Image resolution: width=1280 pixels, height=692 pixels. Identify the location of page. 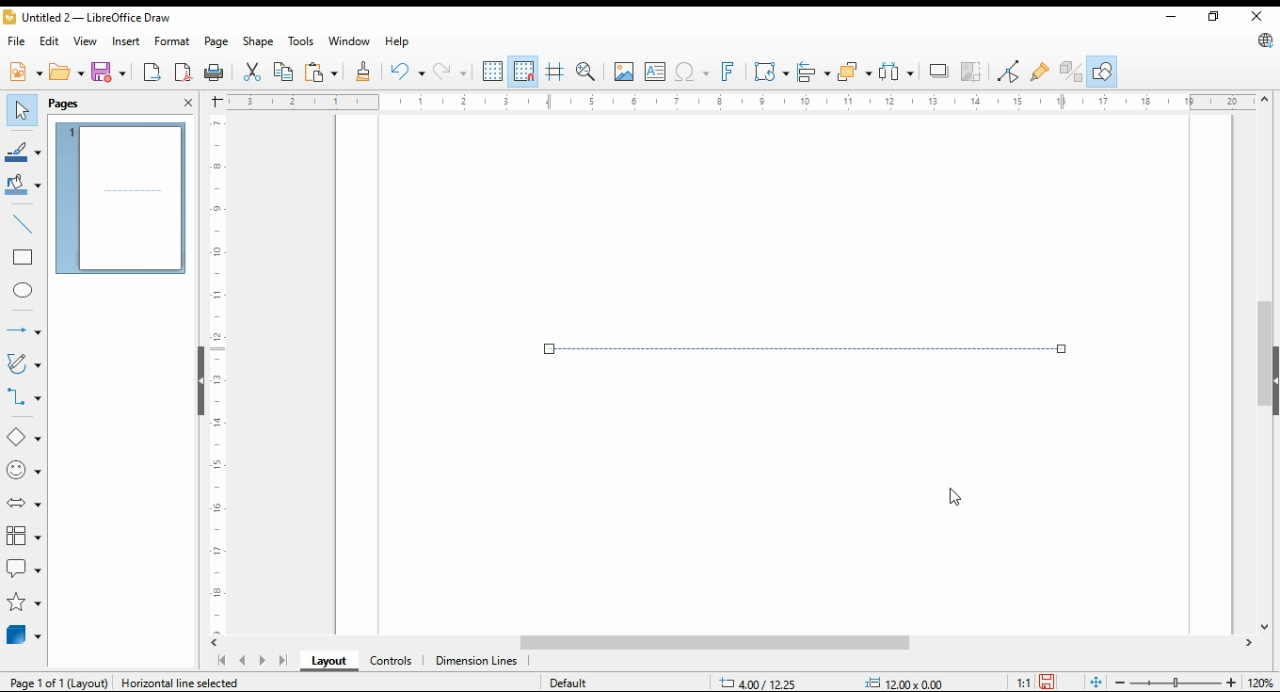
(219, 41).